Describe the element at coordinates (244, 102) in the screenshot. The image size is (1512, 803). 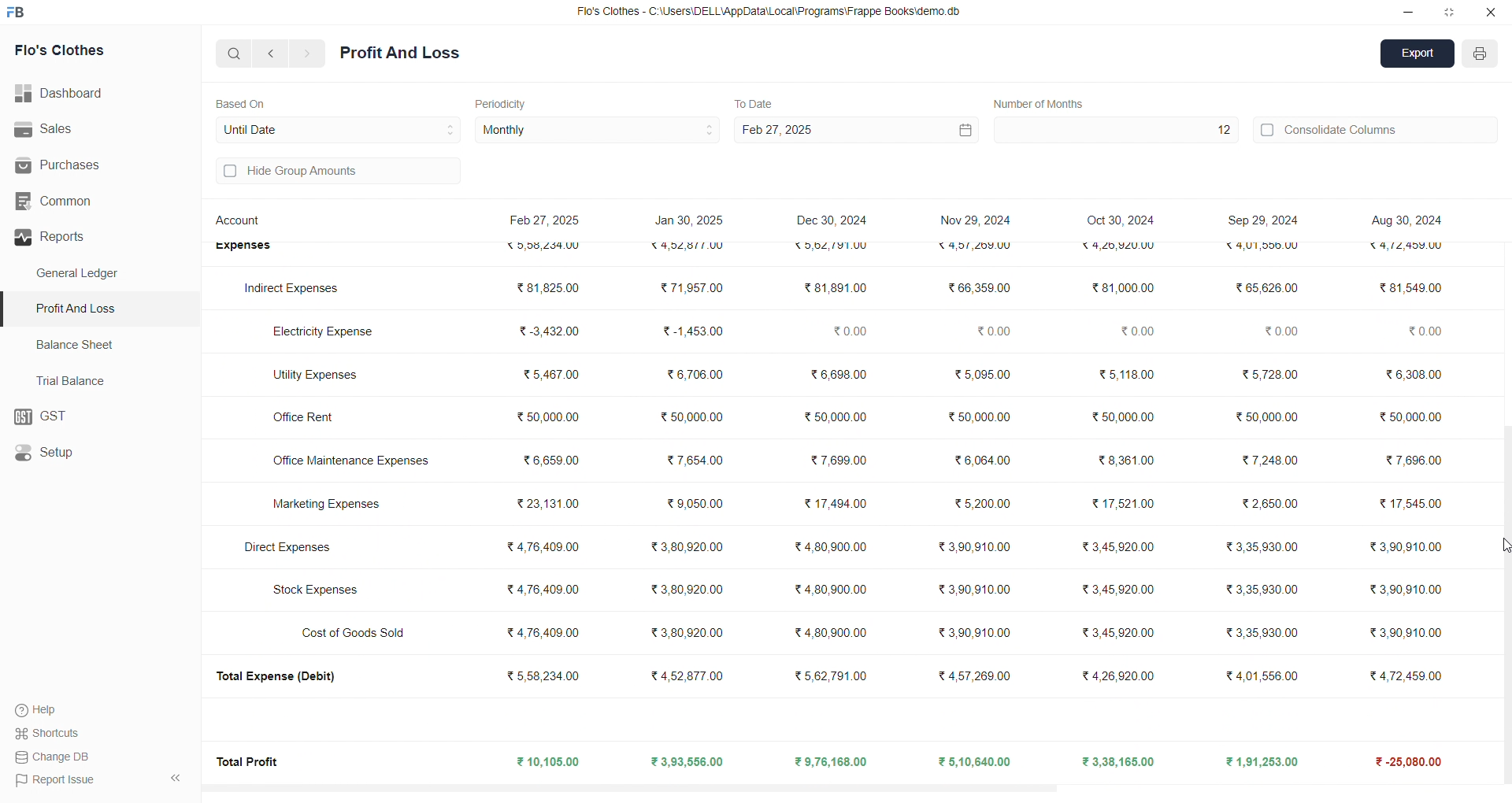
I see `Based On` at that location.